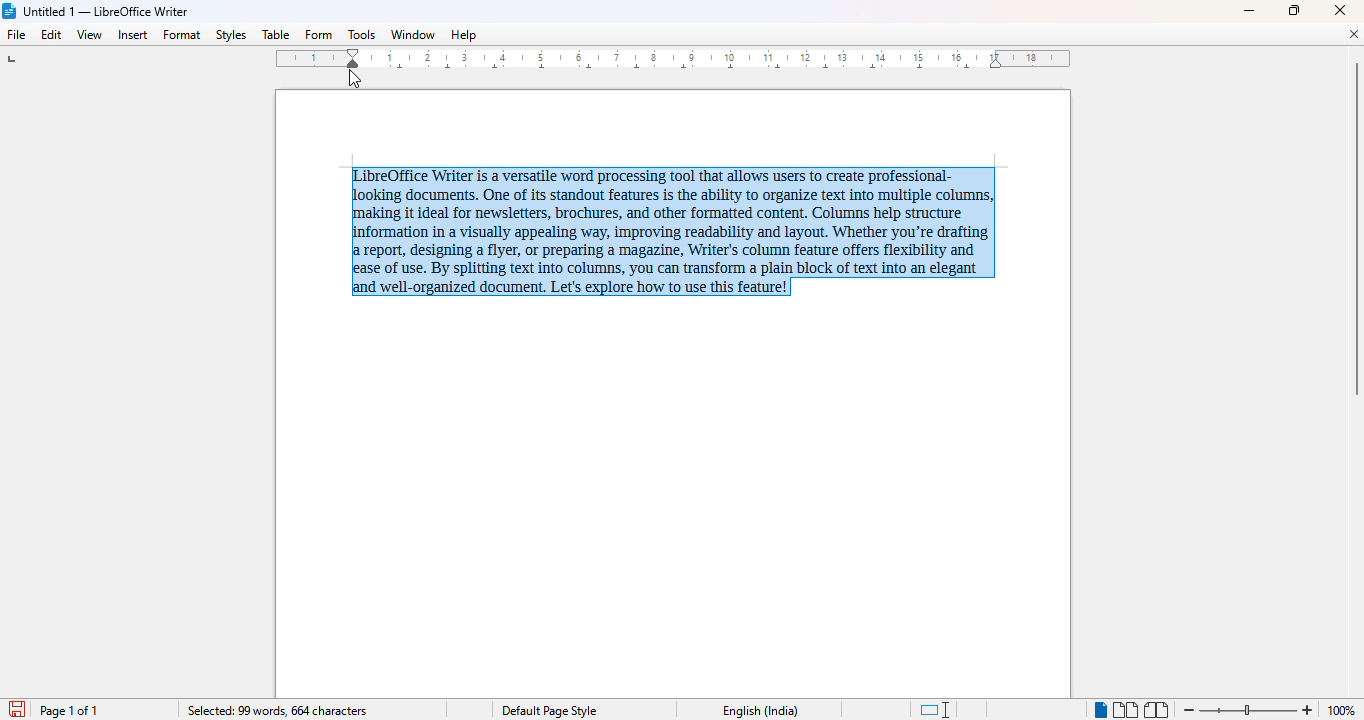  What do you see at coordinates (1126, 710) in the screenshot?
I see `multi-page view` at bounding box center [1126, 710].